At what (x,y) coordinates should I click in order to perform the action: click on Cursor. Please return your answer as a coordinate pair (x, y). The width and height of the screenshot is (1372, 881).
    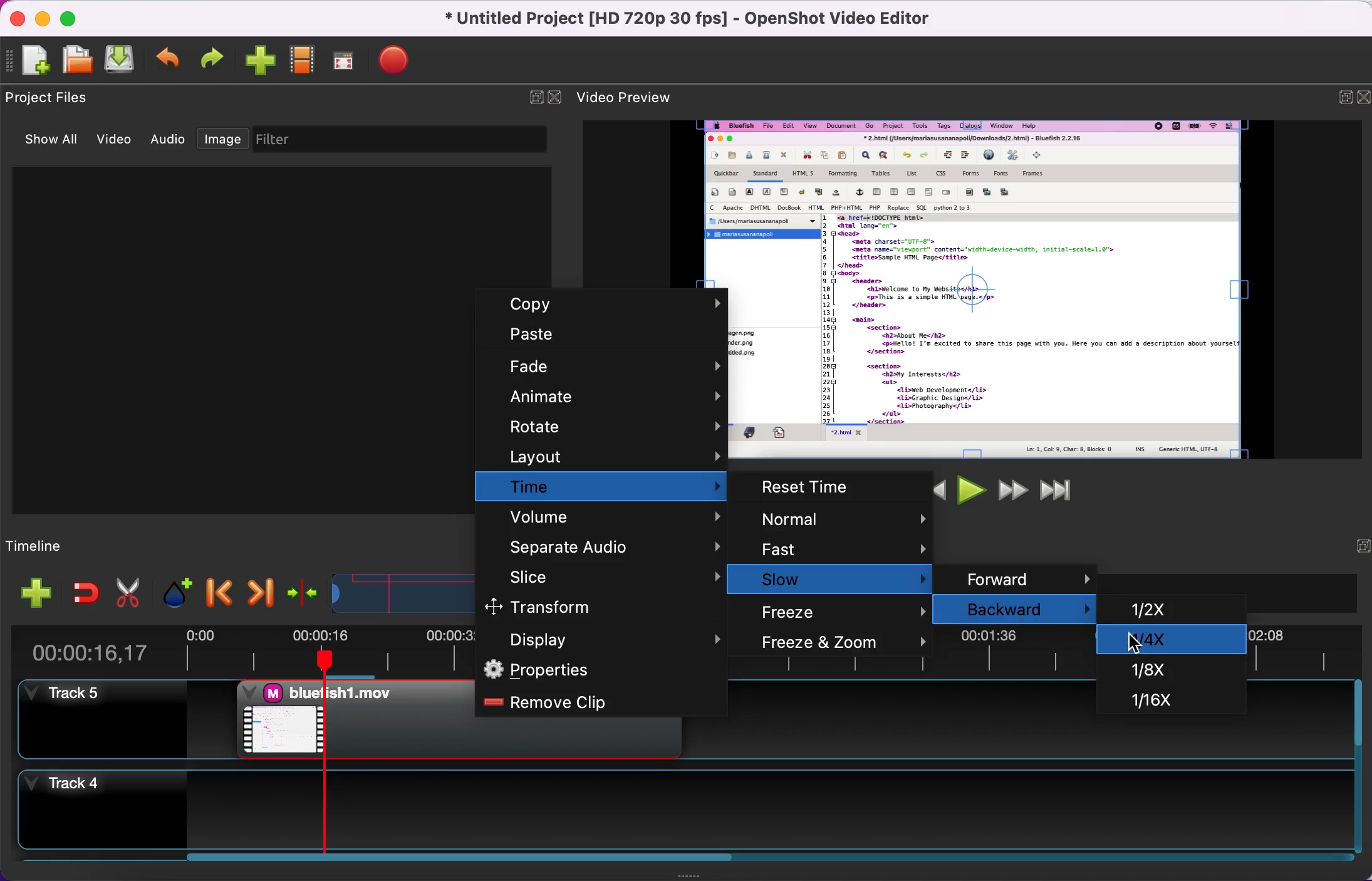
    Looking at the image, I should click on (1133, 642).